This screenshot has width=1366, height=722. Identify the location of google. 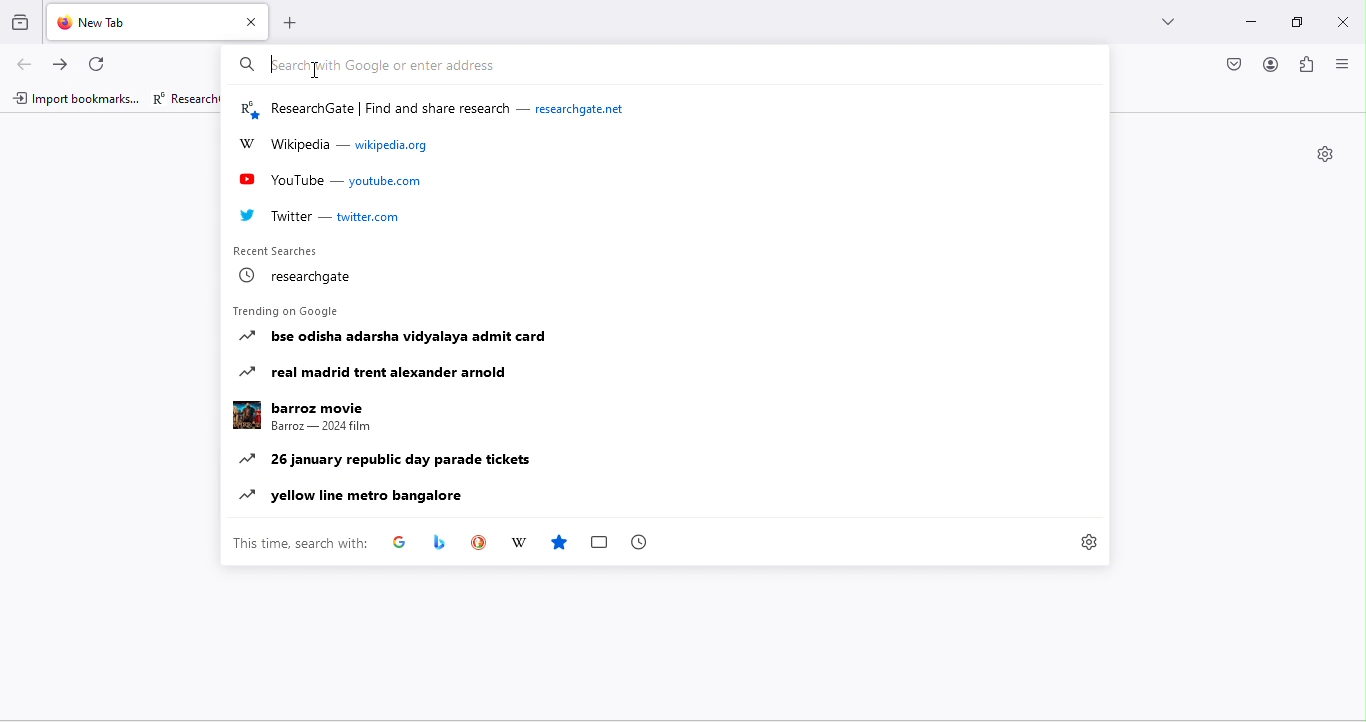
(401, 544).